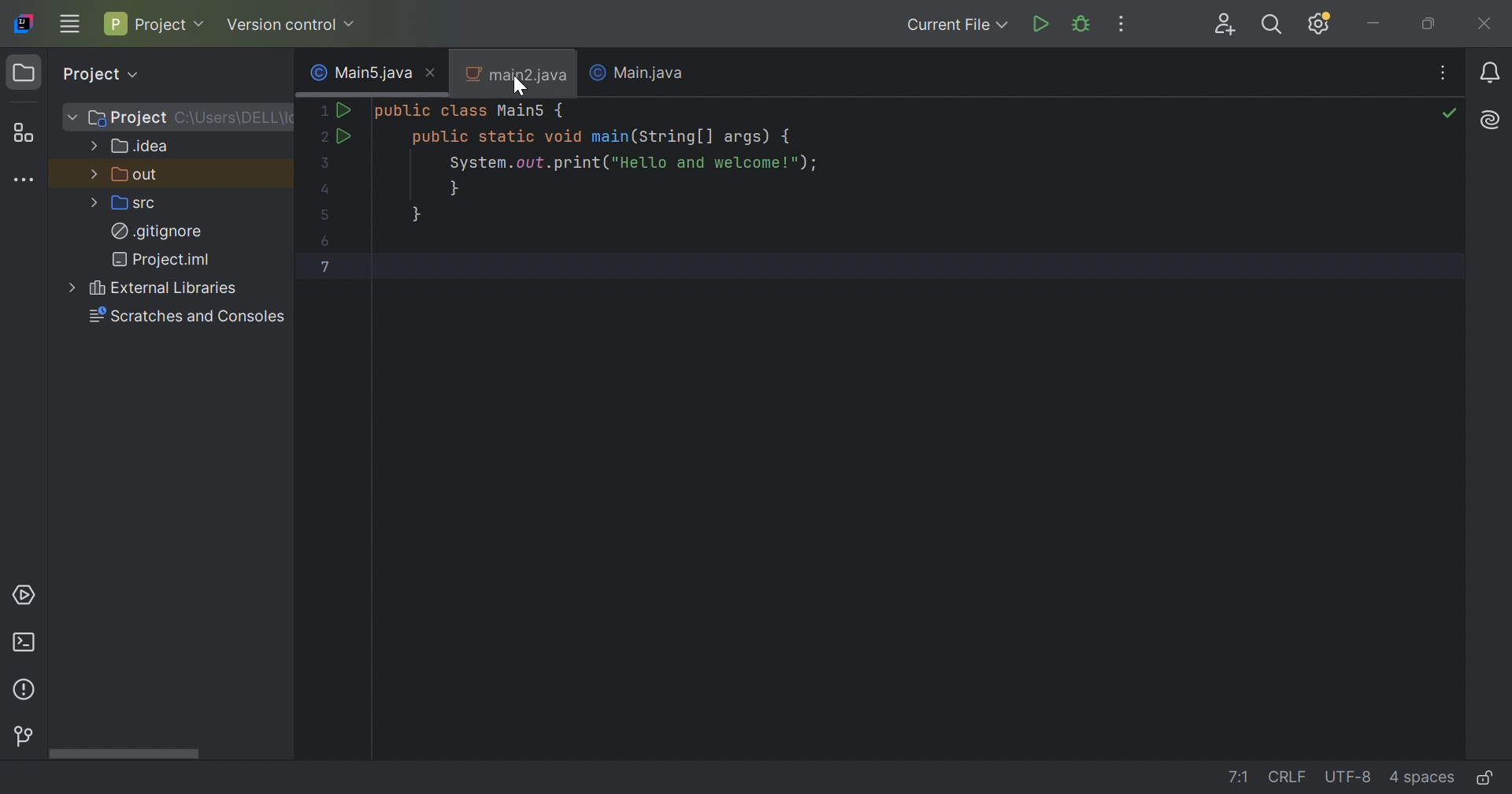 The height and width of the screenshot is (794, 1512). Describe the element at coordinates (1429, 24) in the screenshot. I see `Restore down` at that location.